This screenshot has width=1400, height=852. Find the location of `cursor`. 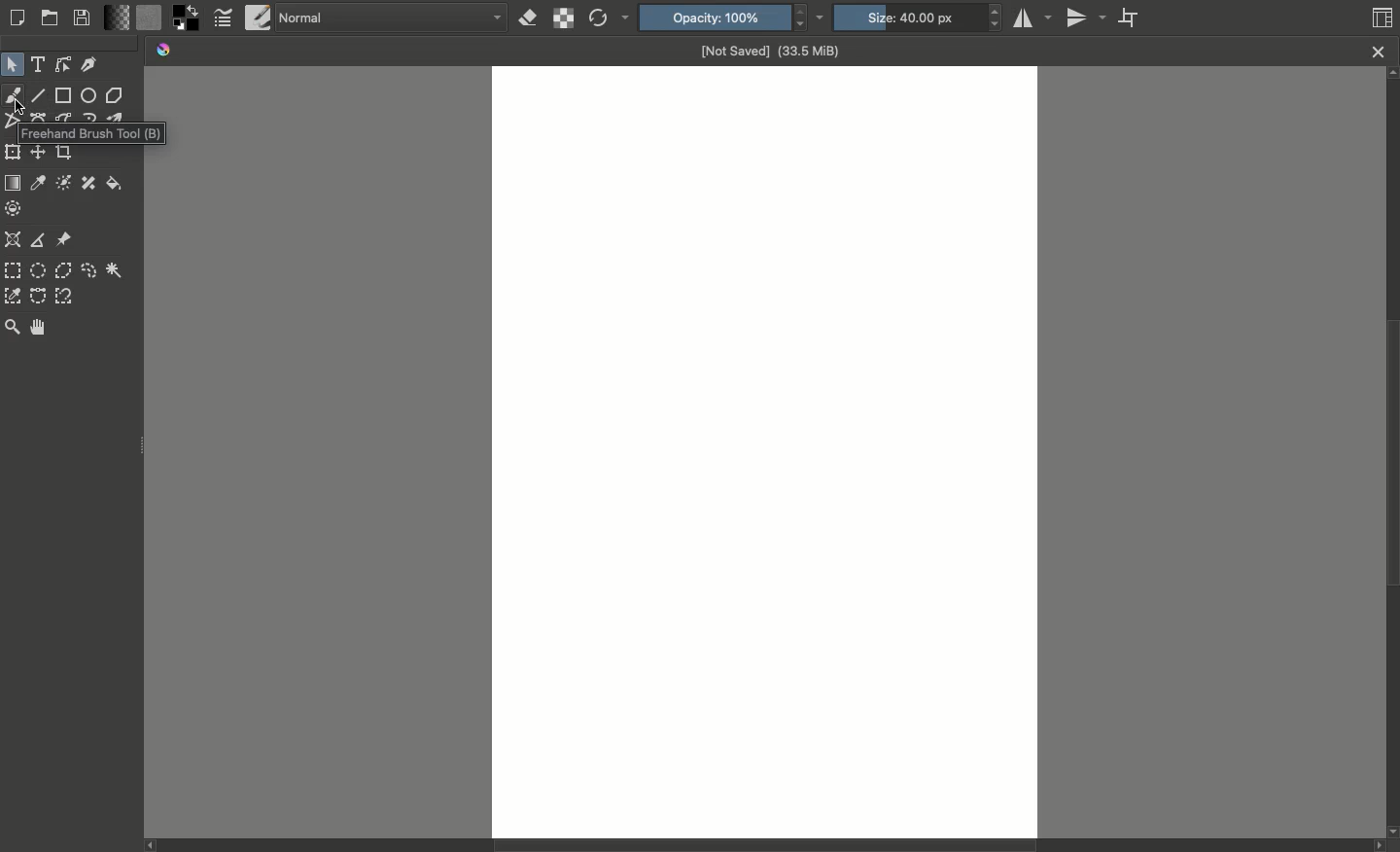

cursor is located at coordinates (21, 108).